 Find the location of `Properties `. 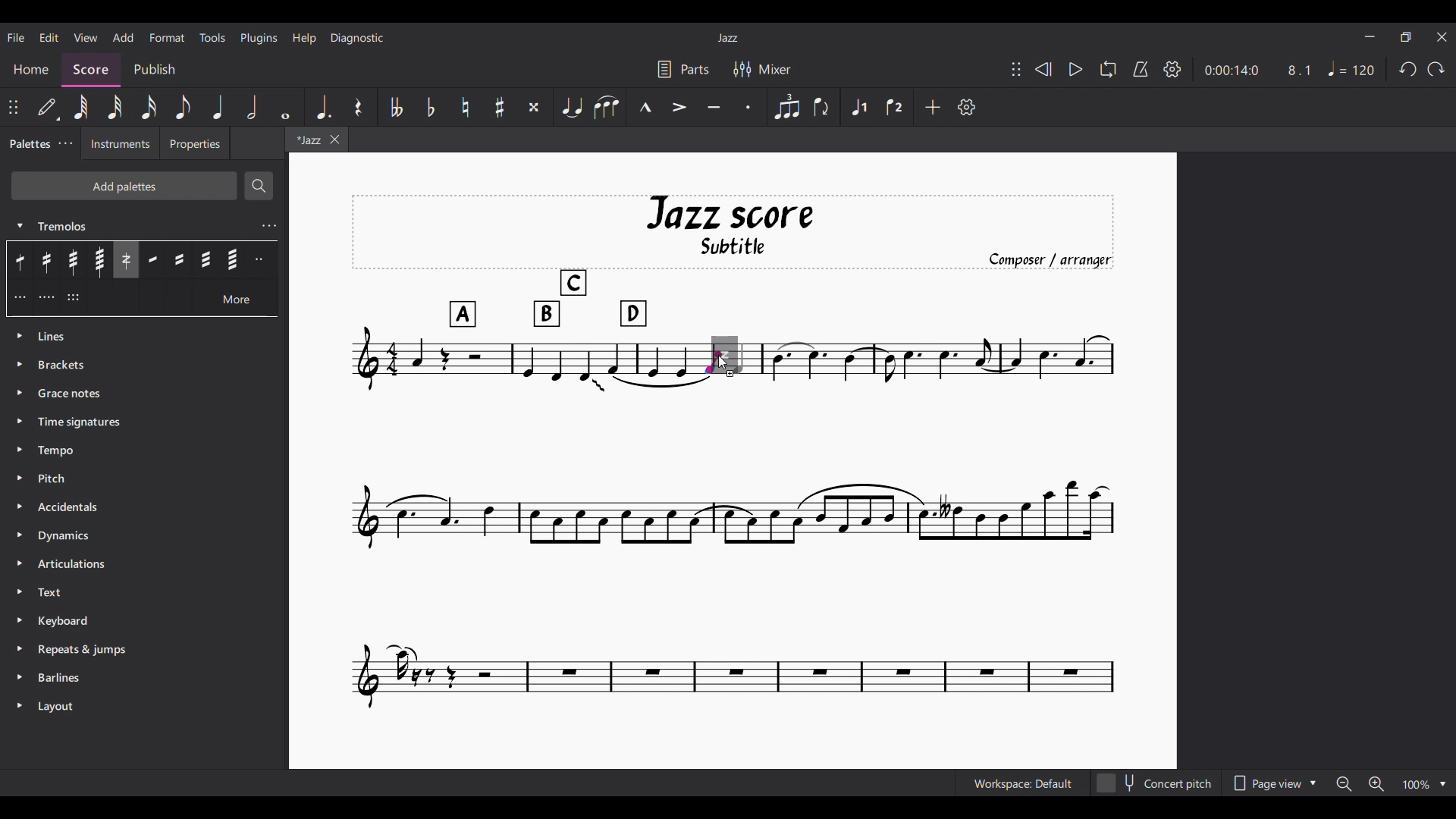

Properties  is located at coordinates (195, 143).